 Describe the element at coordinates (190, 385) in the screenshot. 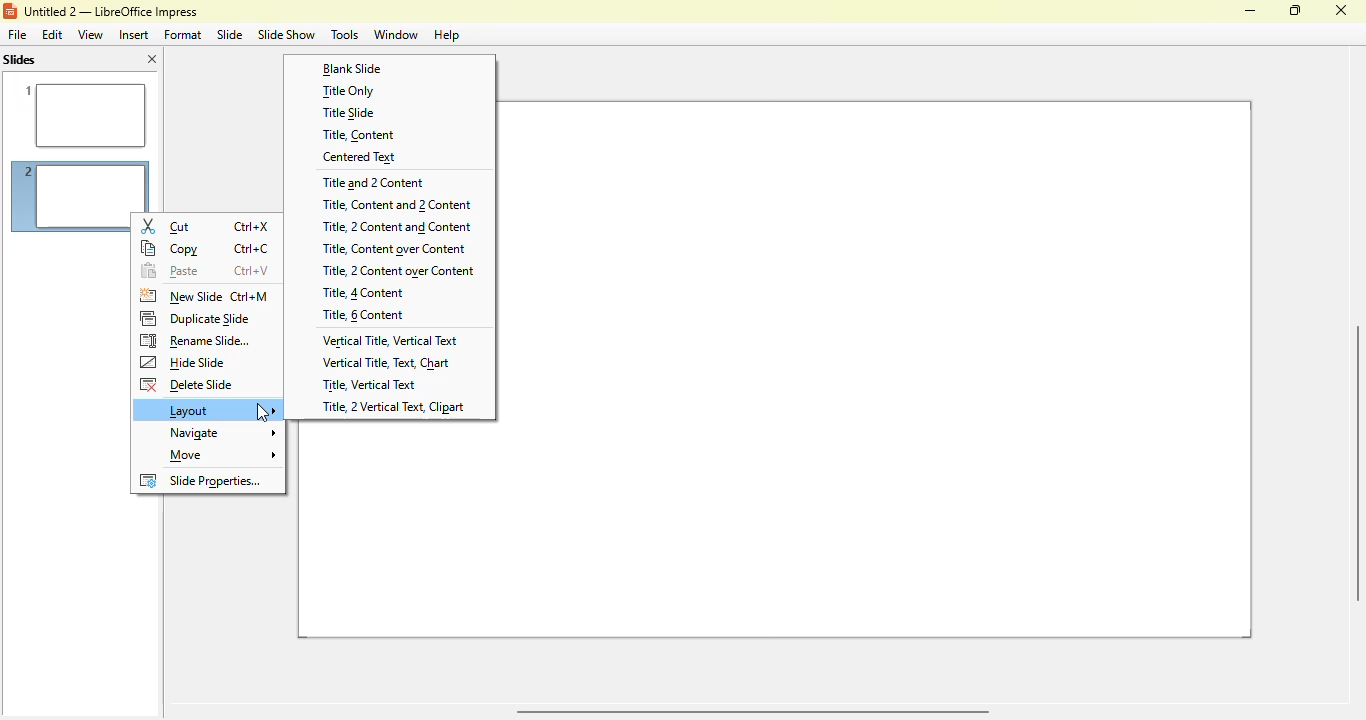

I see `delete slide` at that location.